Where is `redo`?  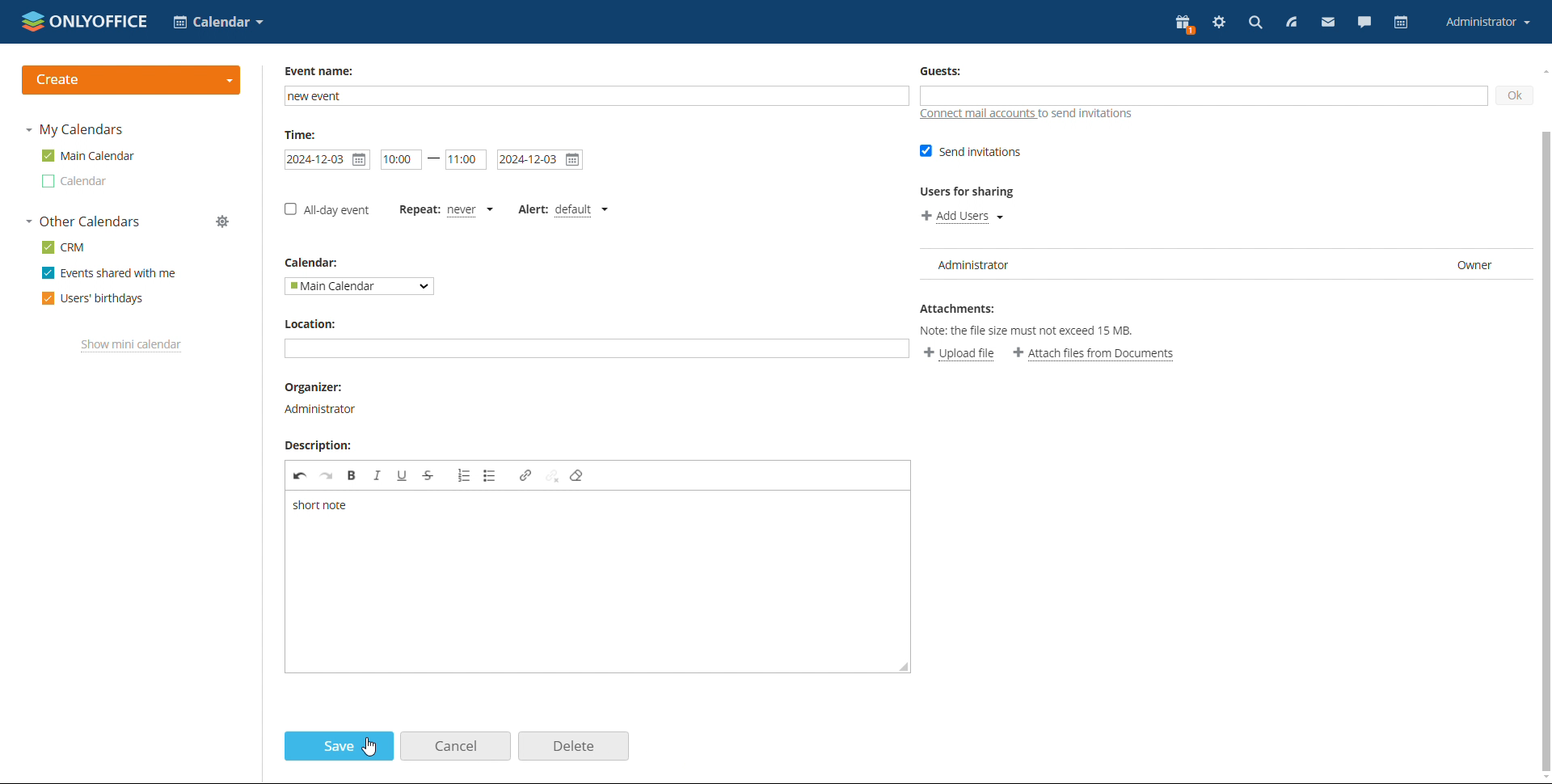 redo is located at coordinates (328, 477).